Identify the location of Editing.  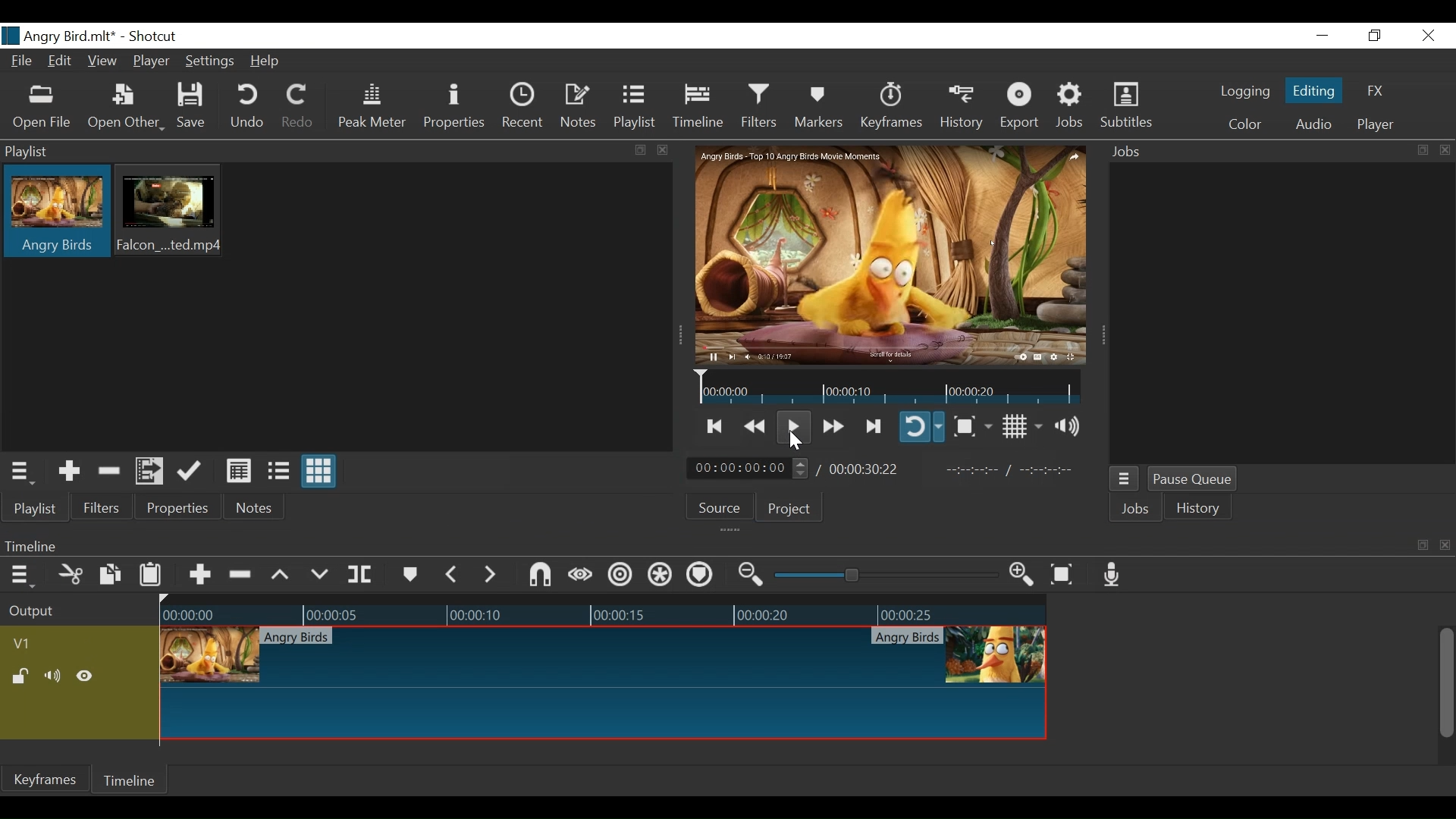
(1314, 93).